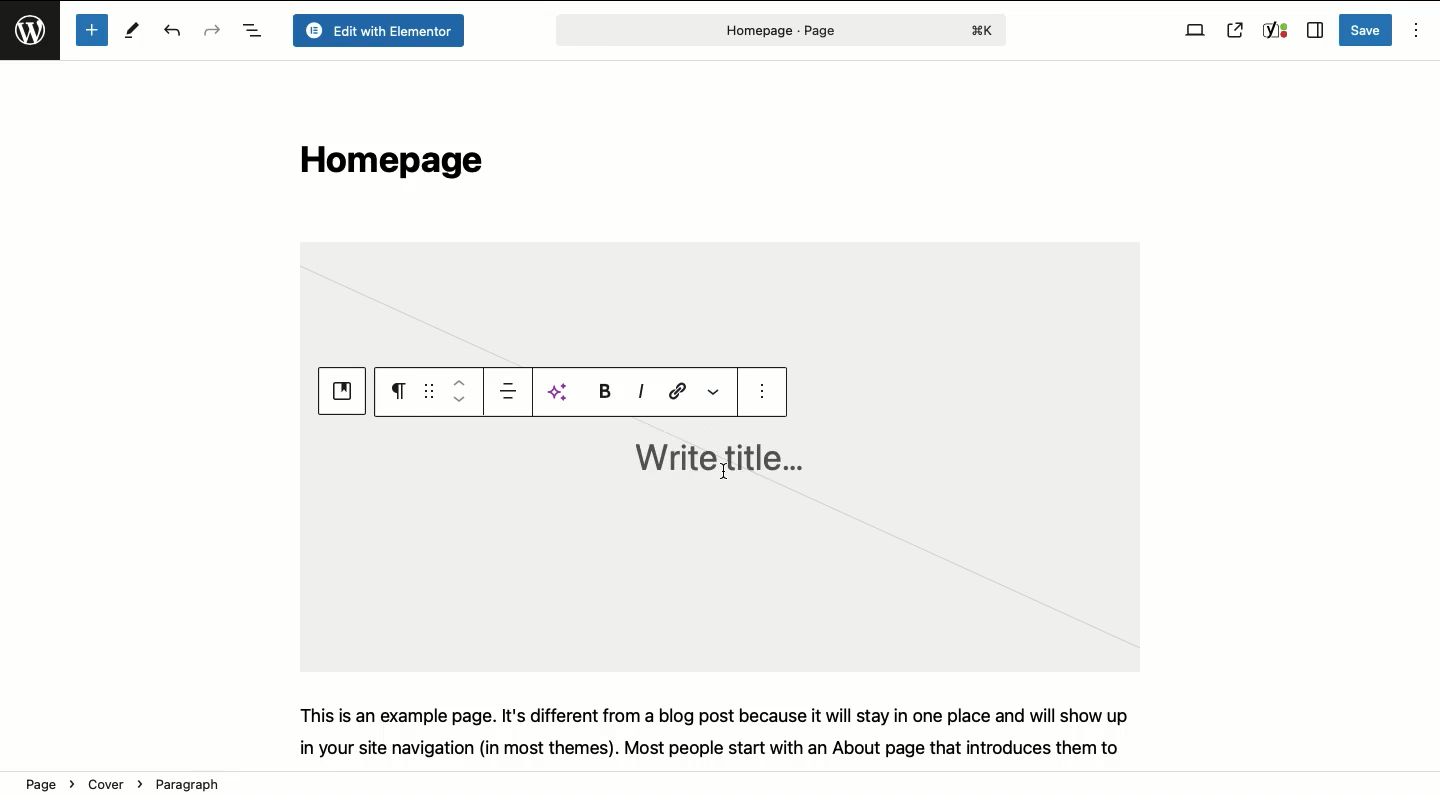 The width and height of the screenshot is (1440, 794). Describe the element at coordinates (33, 39) in the screenshot. I see `Wordpress logo` at that location.